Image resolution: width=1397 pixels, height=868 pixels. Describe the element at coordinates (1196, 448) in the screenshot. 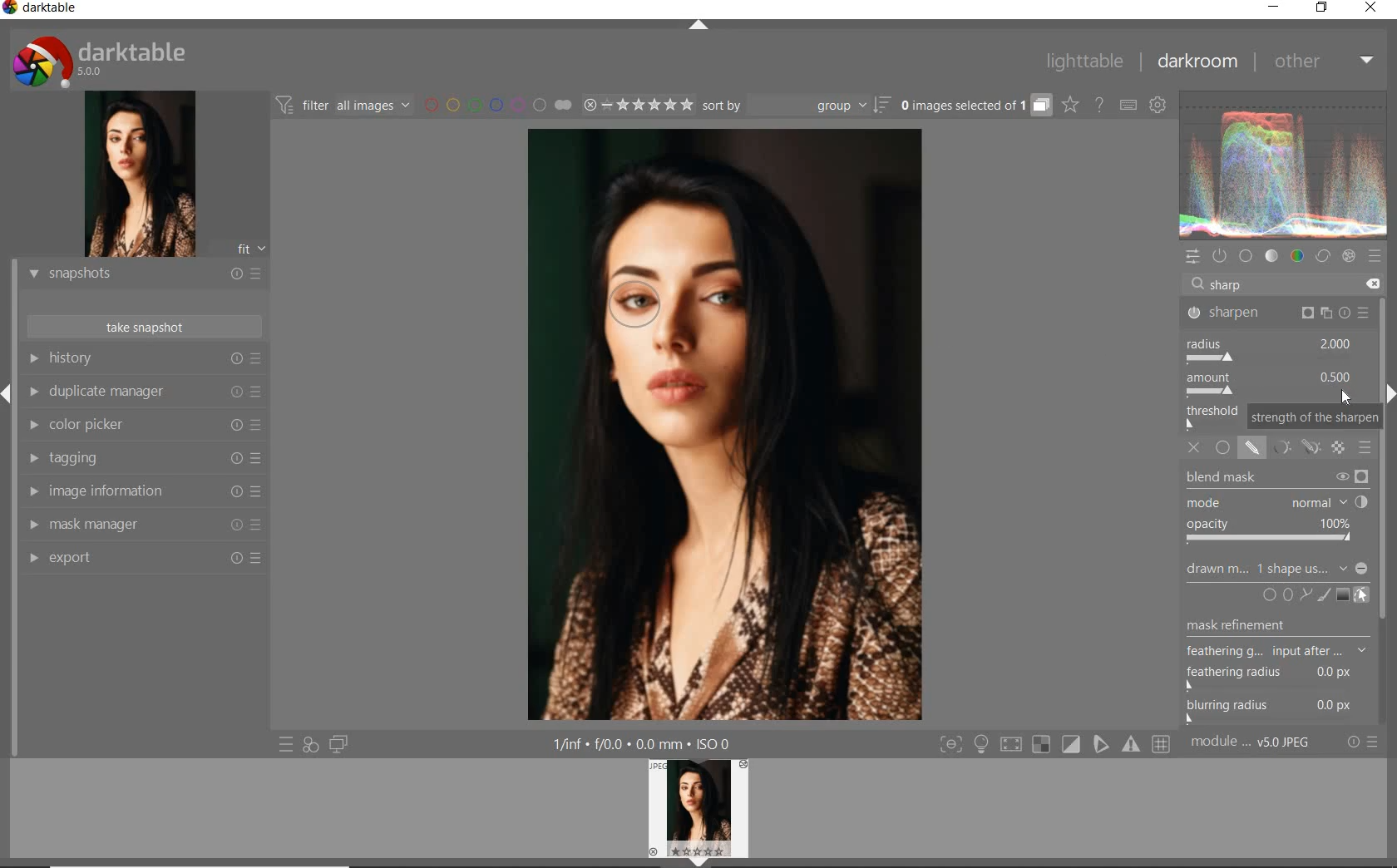

I see `off` at that location.